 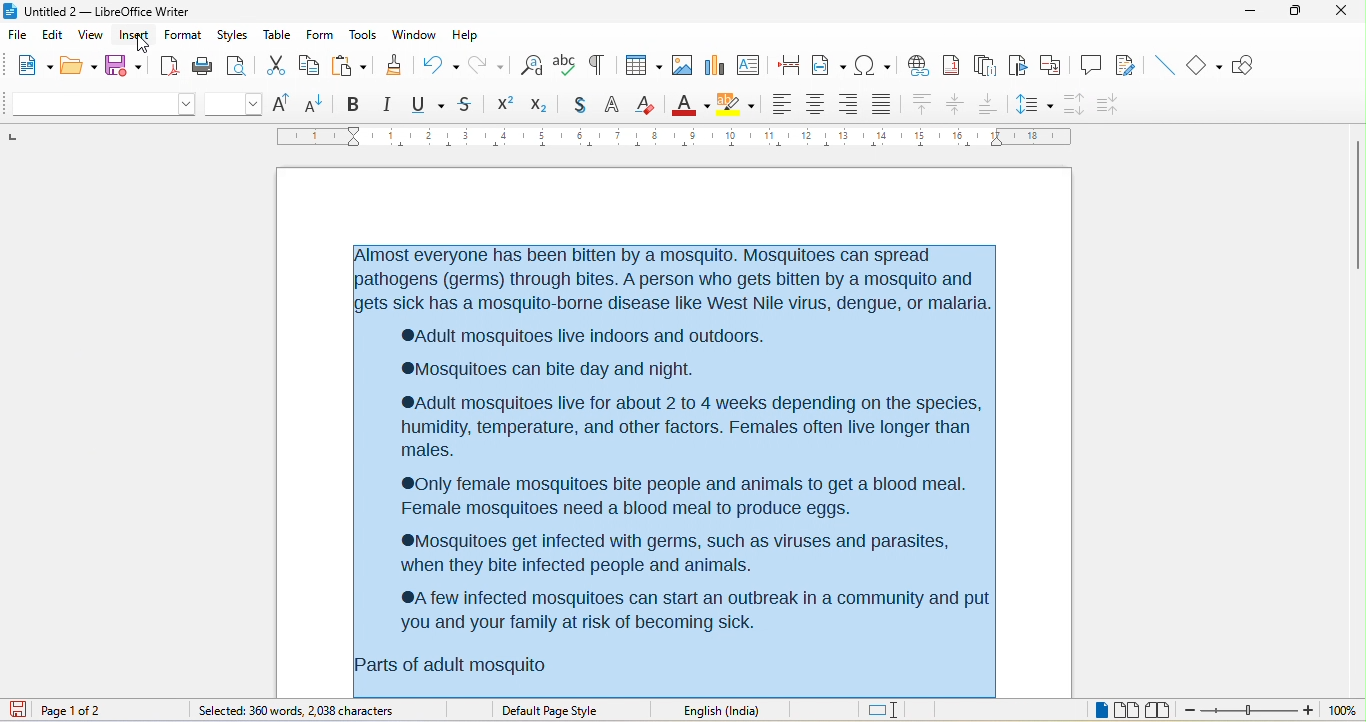 What do you see at coordinates (463, 31) in the screenshot?
I see `help` at bounding box center [463, 31].